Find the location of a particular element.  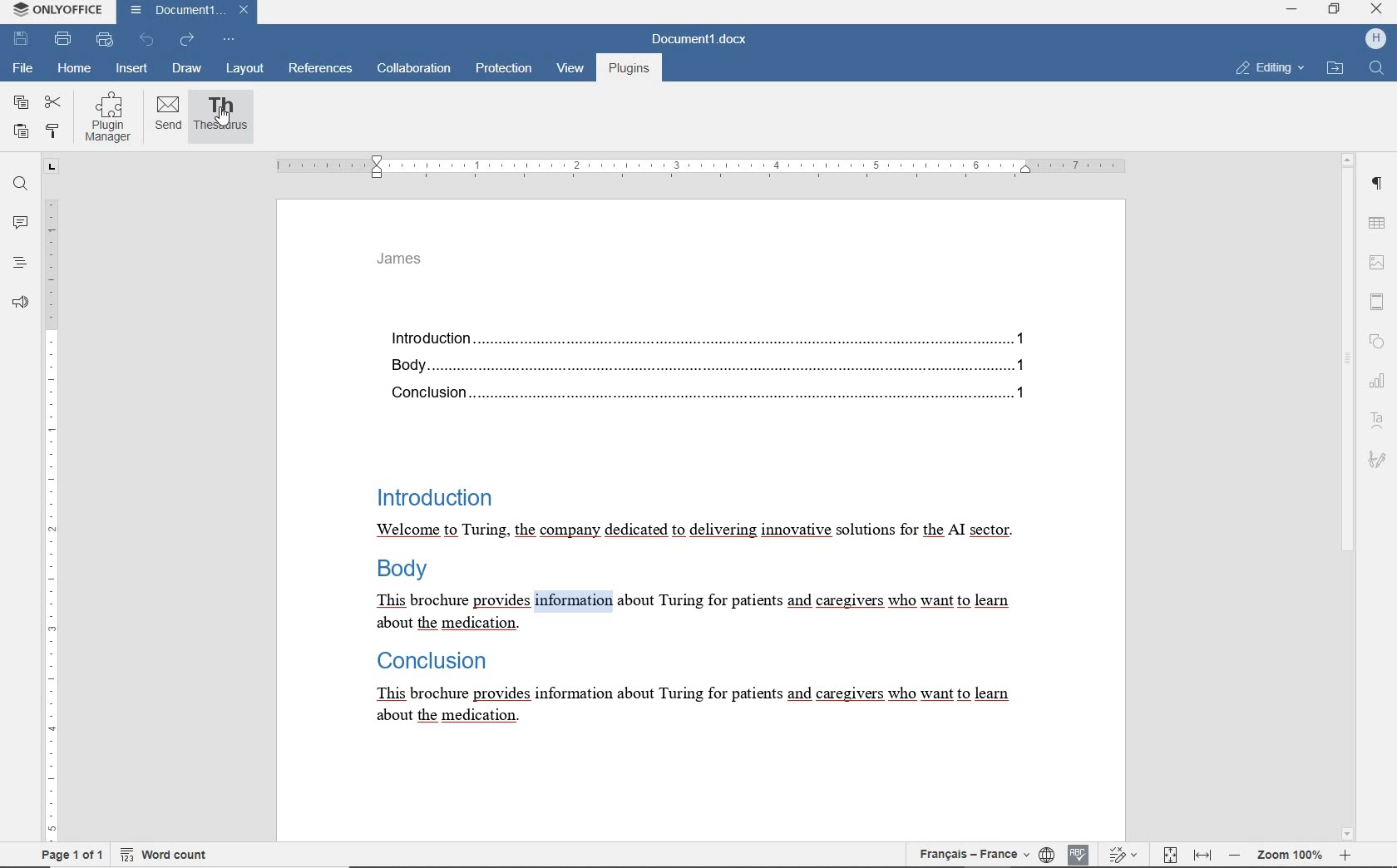

PLUGIN MANAGER is located at coordinates (111, 116).